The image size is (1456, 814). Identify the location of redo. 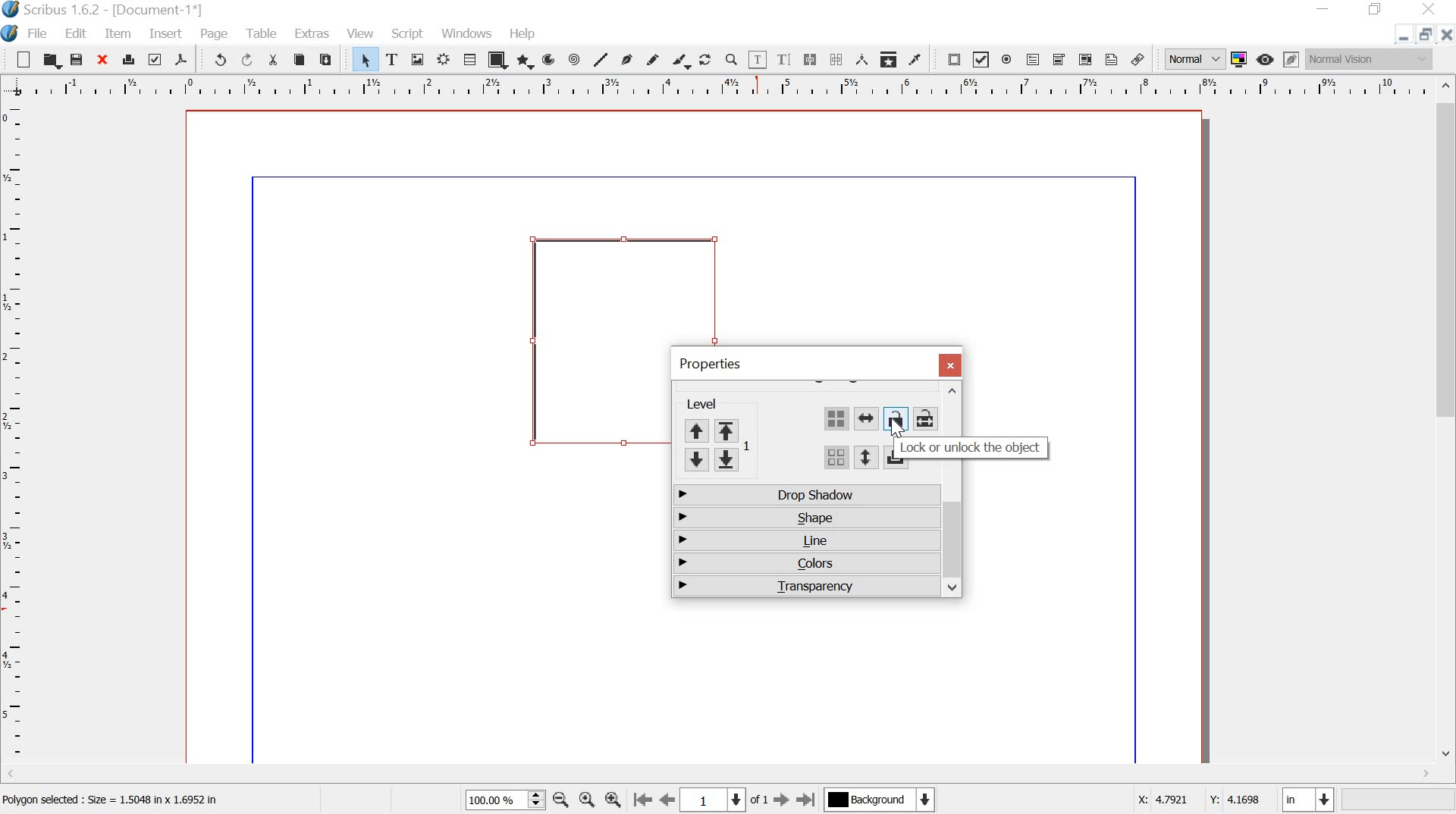
(246, 61).